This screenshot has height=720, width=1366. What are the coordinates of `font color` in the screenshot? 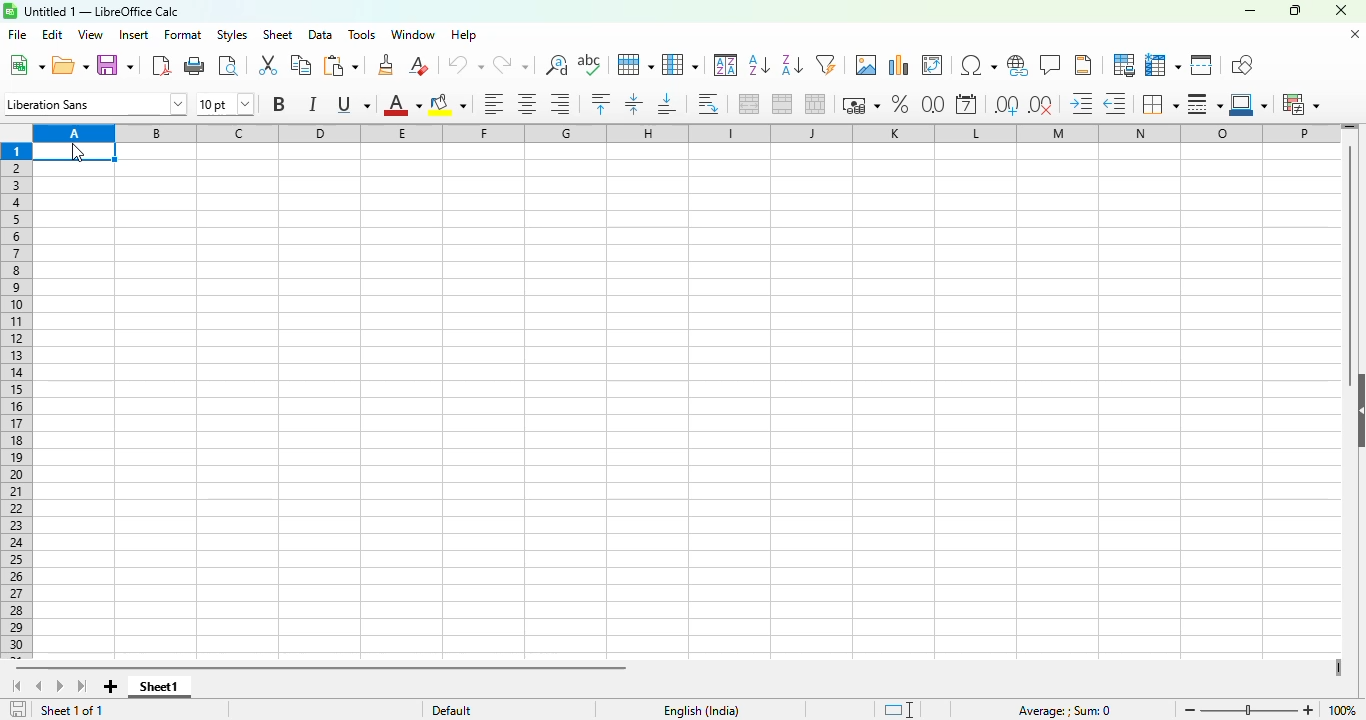 It's located at (402, 105).